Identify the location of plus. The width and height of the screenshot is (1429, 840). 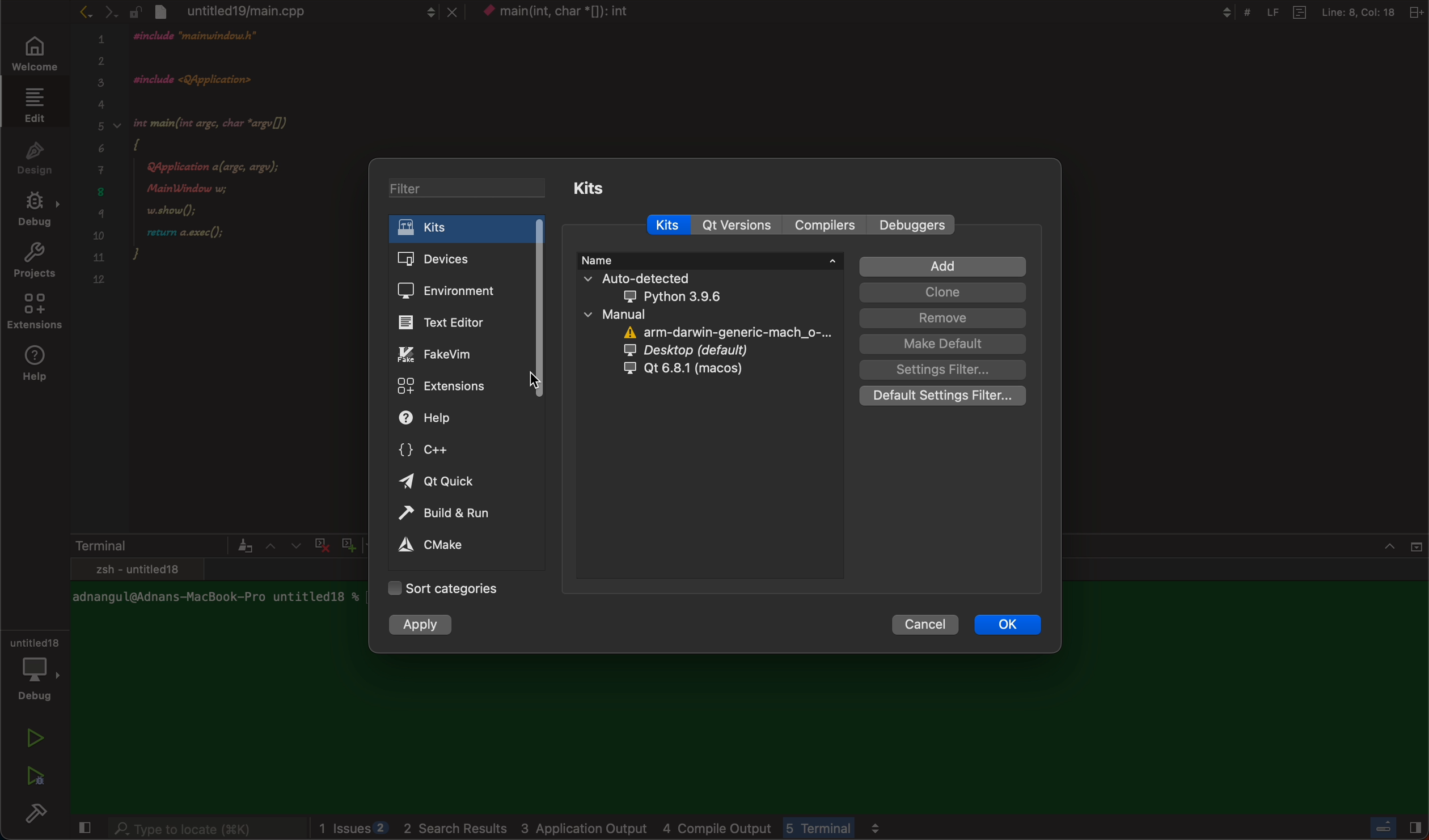
(346, 543).